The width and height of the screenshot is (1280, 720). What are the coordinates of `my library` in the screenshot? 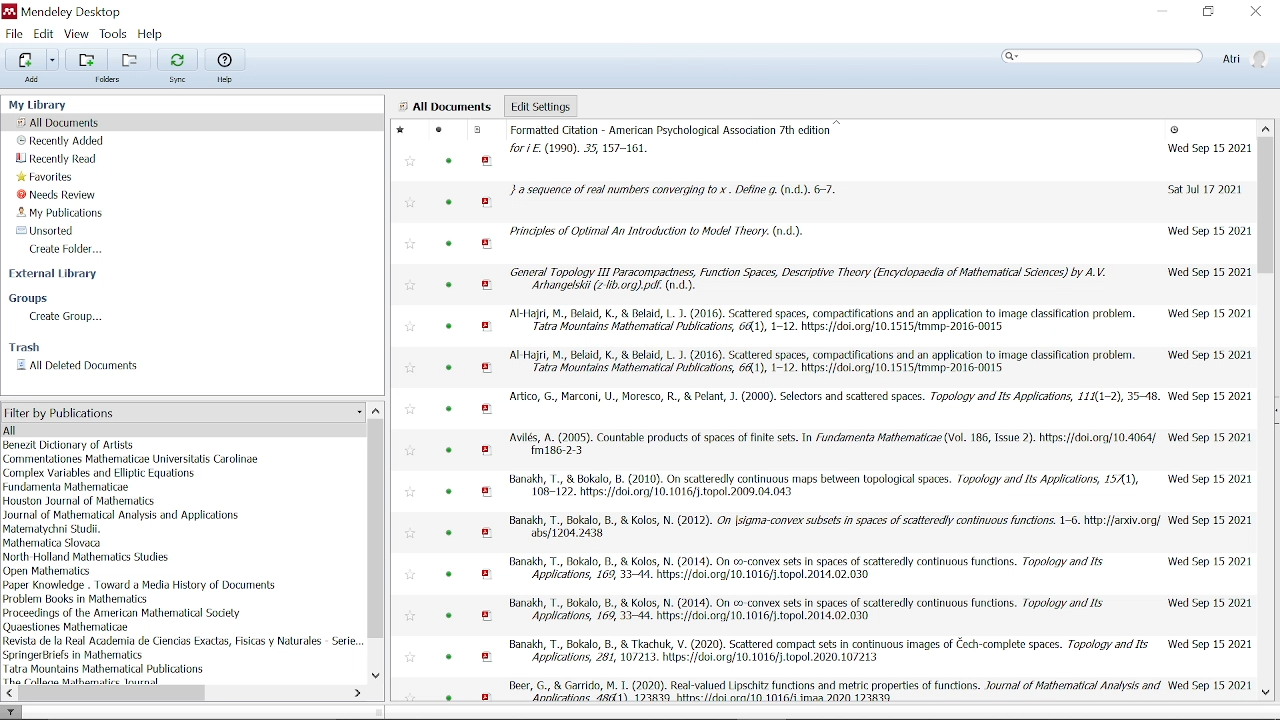 It's located at (49, 104).